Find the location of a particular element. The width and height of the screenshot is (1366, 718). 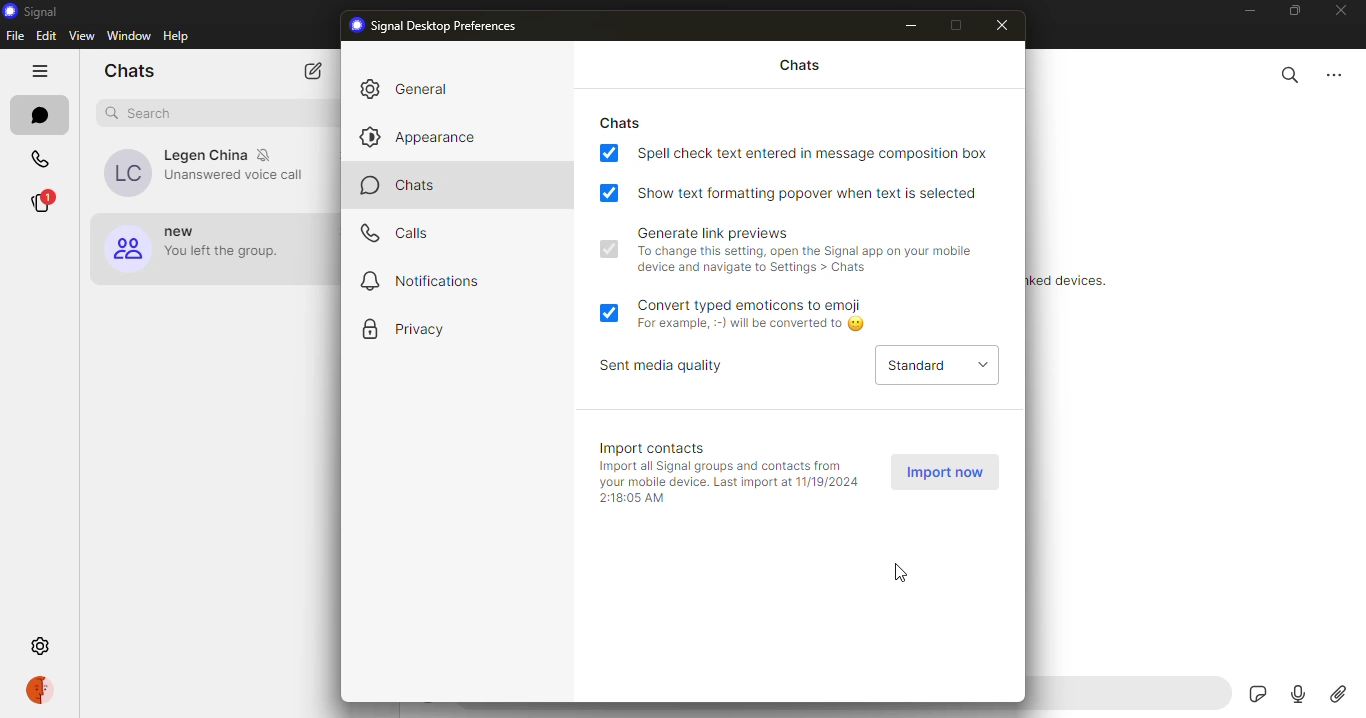

chats is located at coordinates (801, 67).